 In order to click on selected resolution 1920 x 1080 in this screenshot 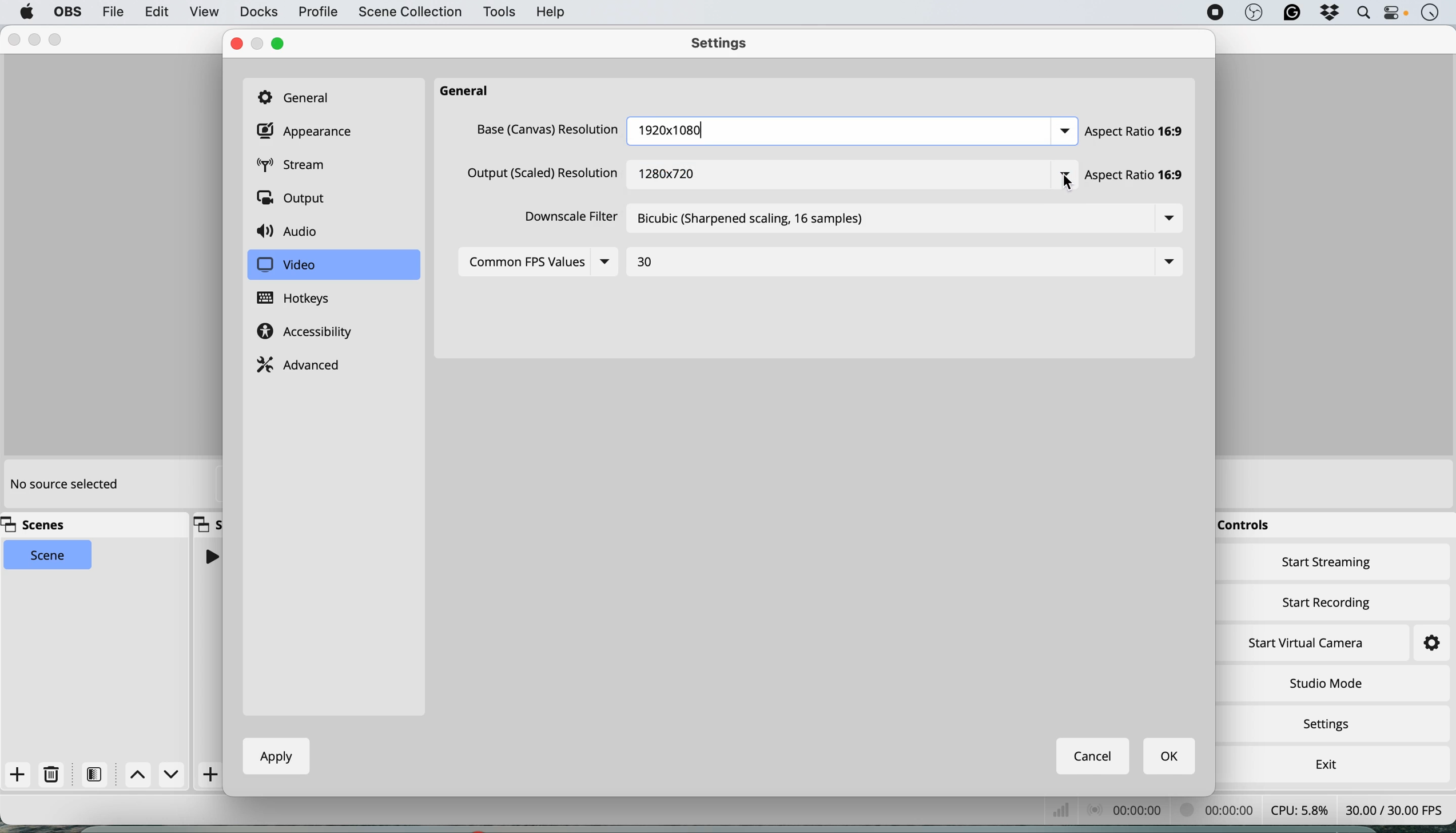, I will do `click(665, 169)`.